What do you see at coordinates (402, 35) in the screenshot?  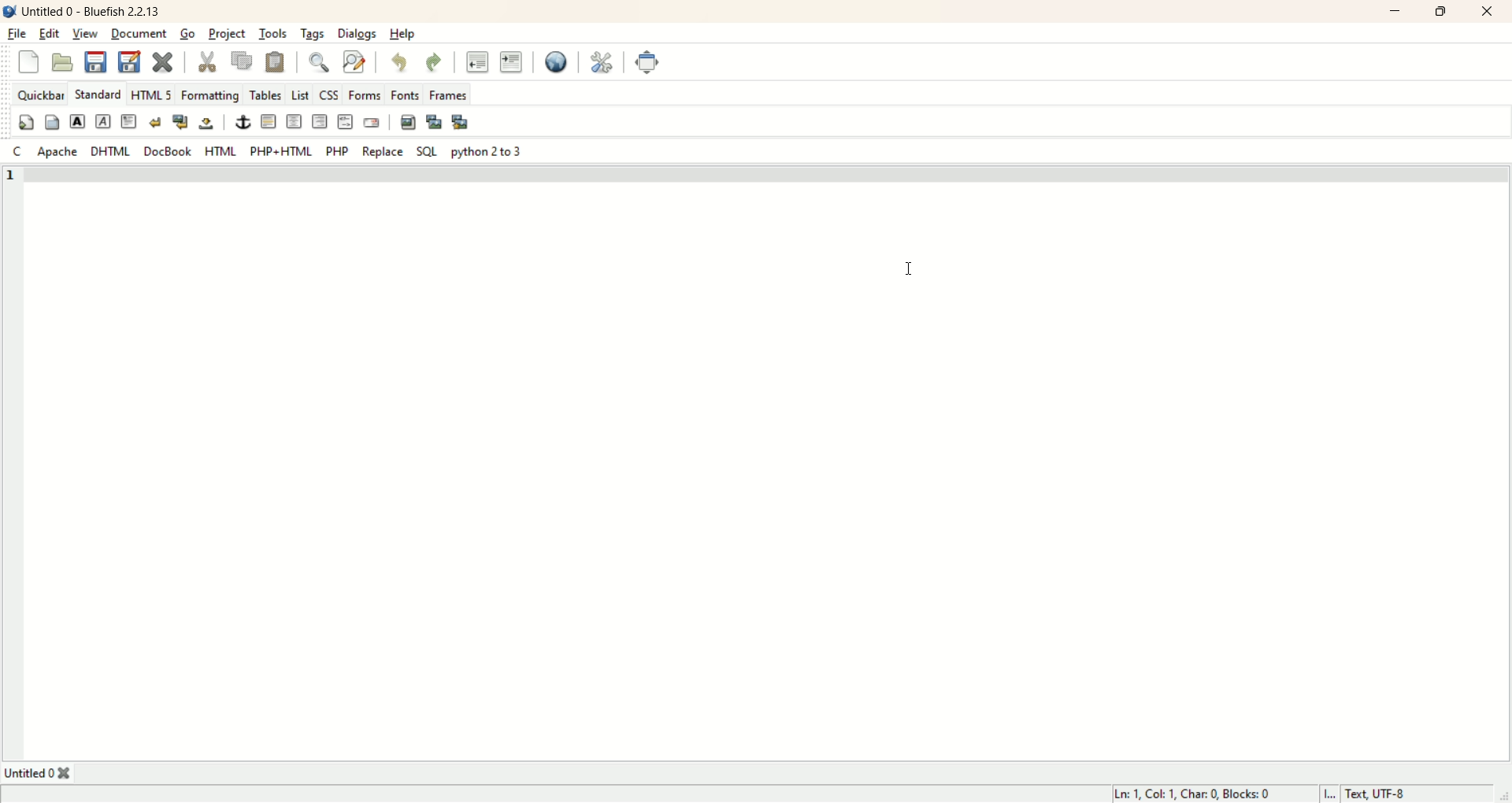 I see `help` at bounding box center [402, 35].